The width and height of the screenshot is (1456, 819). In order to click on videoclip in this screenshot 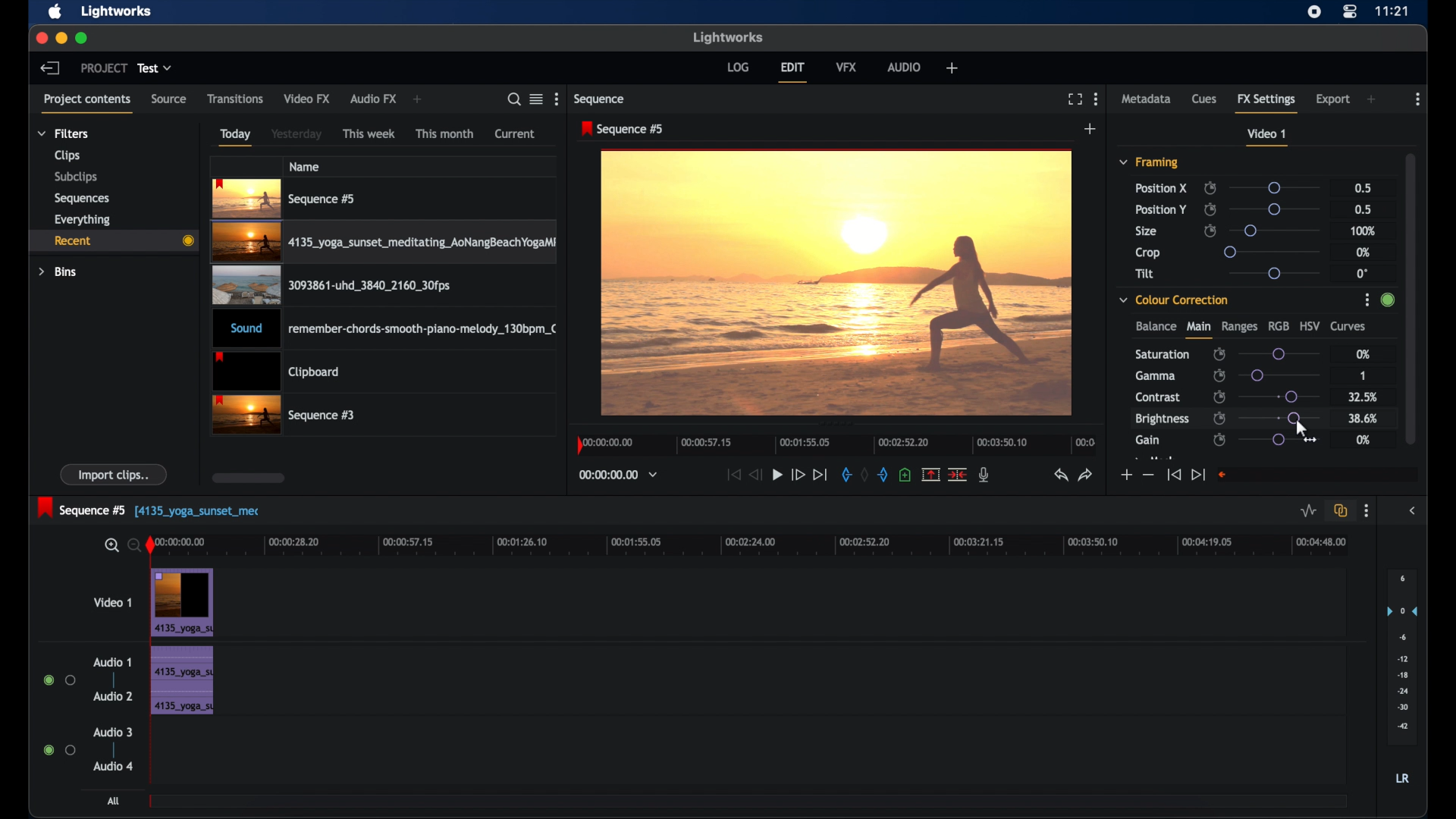, I will do `click(285, 199)`.